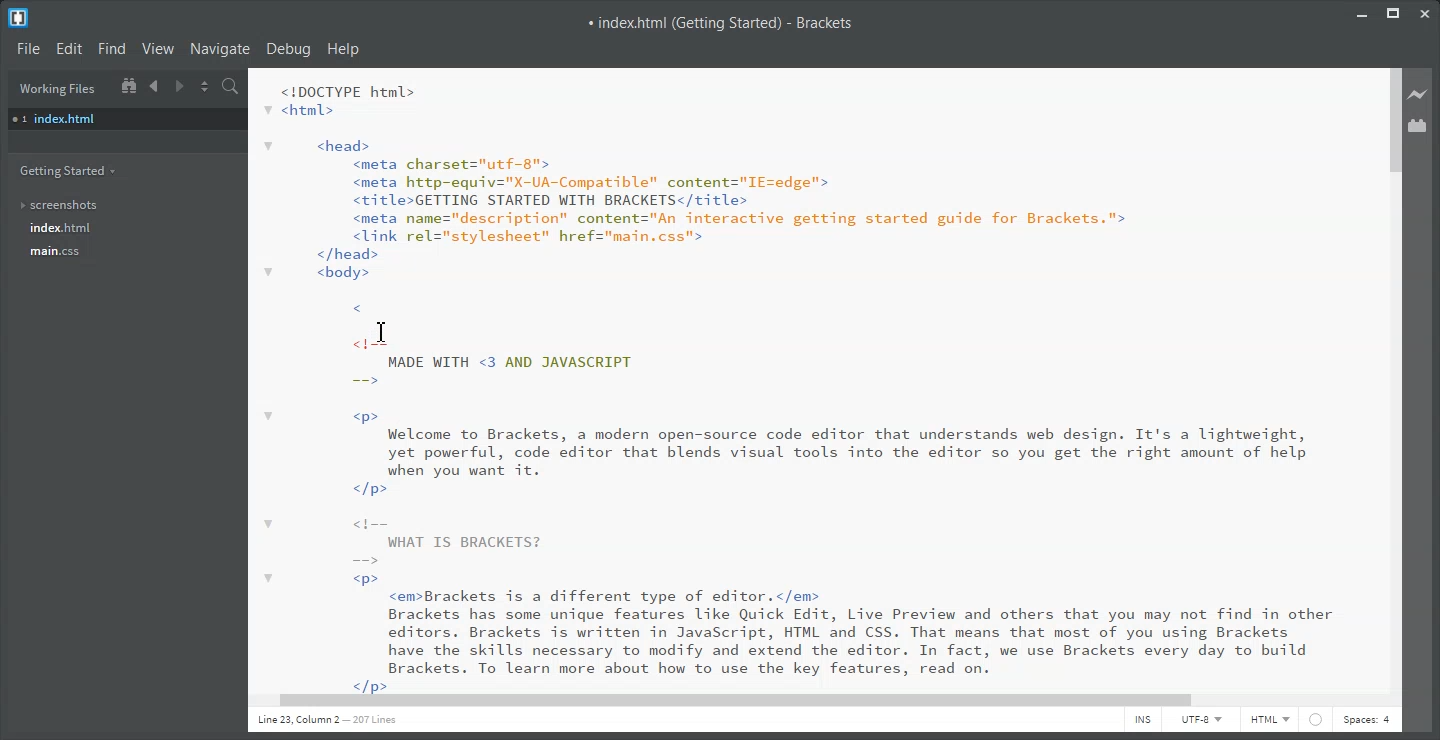 This screenshot has width=1440, height=740. What do you see at coordinates (157, 48) in the screenshot?
I see `View` at bounding box center [157, 48].